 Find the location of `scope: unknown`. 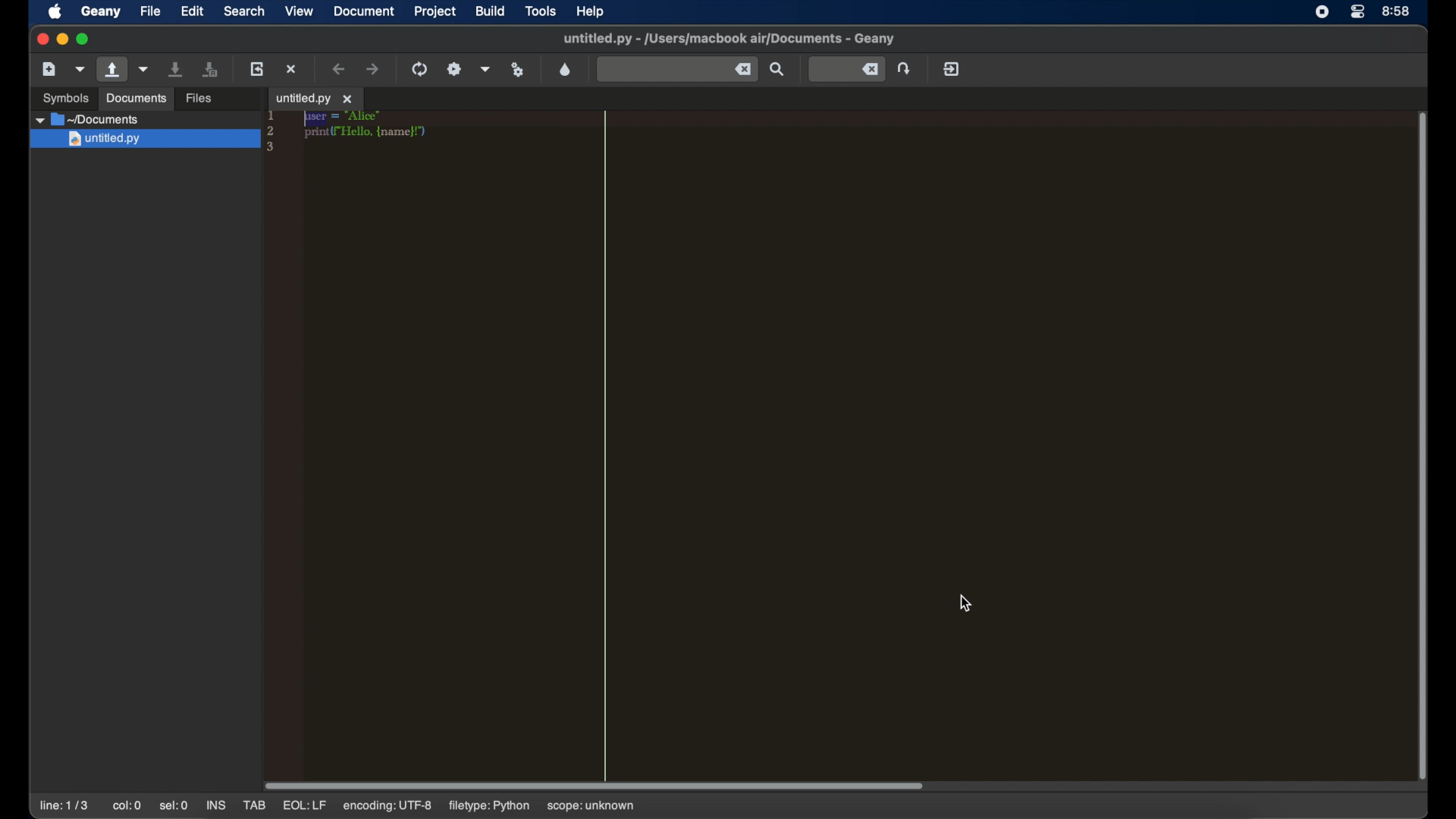

scope: unknown is located at coordinates (591, 806).